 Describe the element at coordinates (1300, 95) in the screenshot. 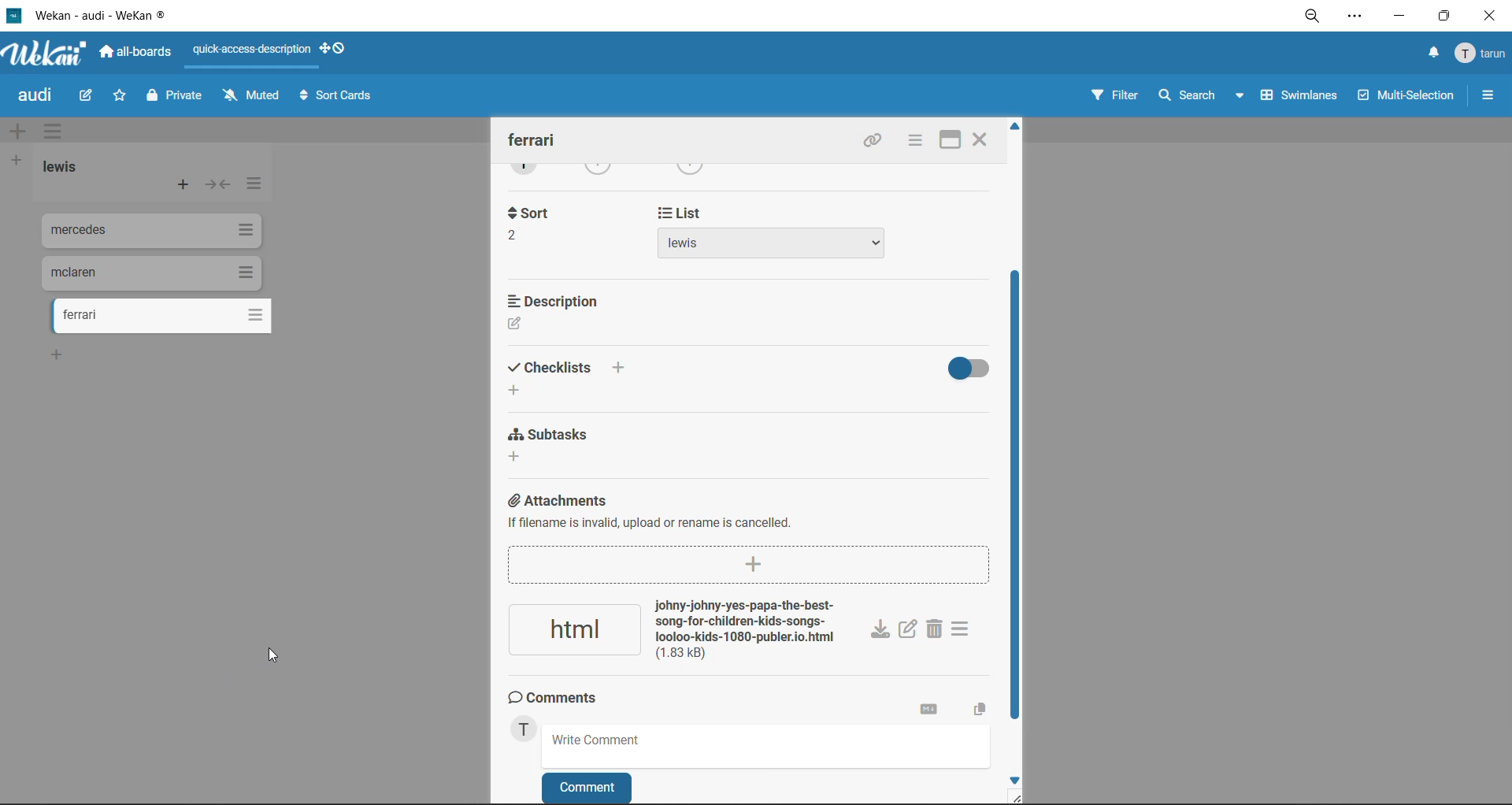

I see `swimlanes` at that location.